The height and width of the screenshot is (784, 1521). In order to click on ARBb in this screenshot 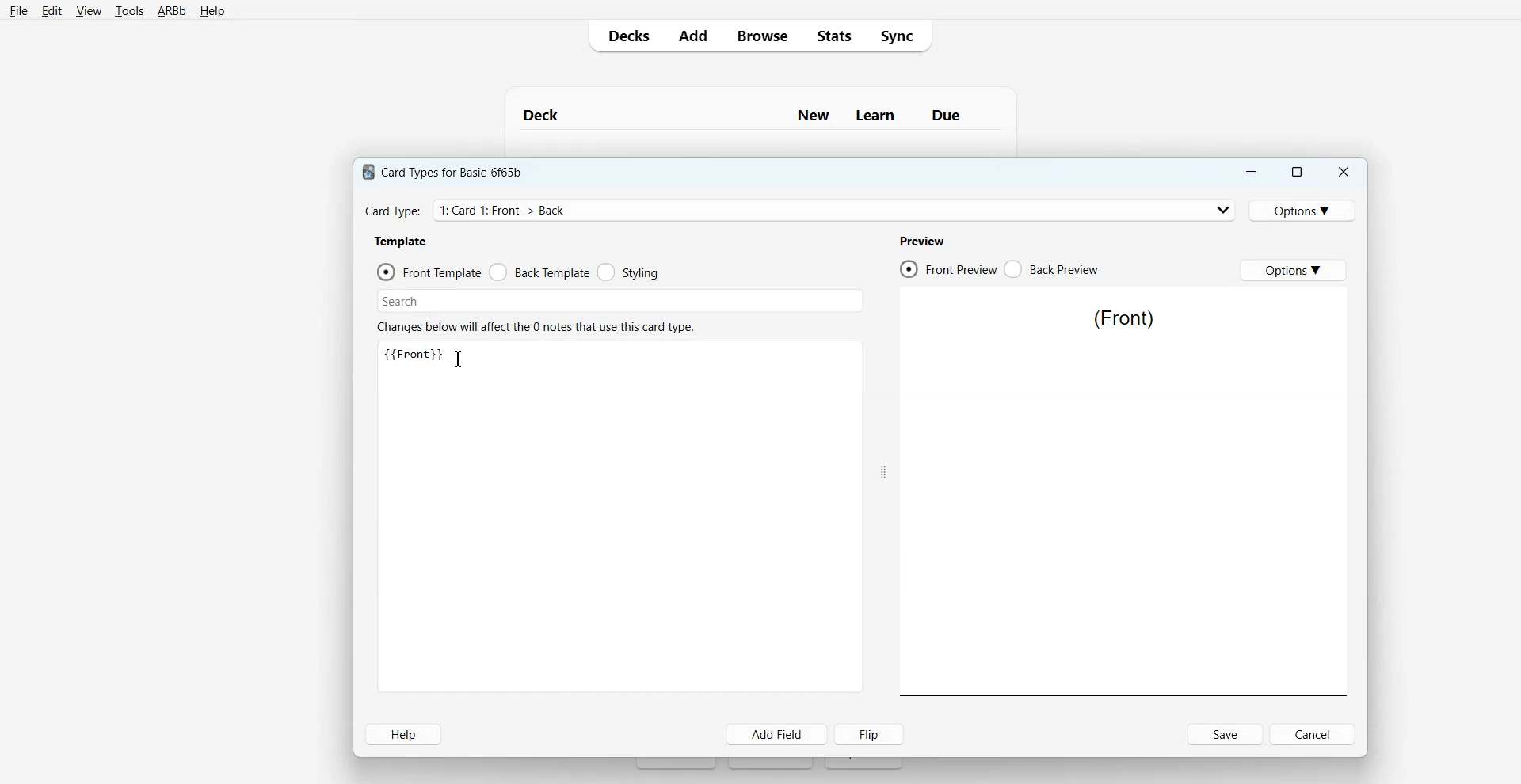, I will do `click(172, 11)`.